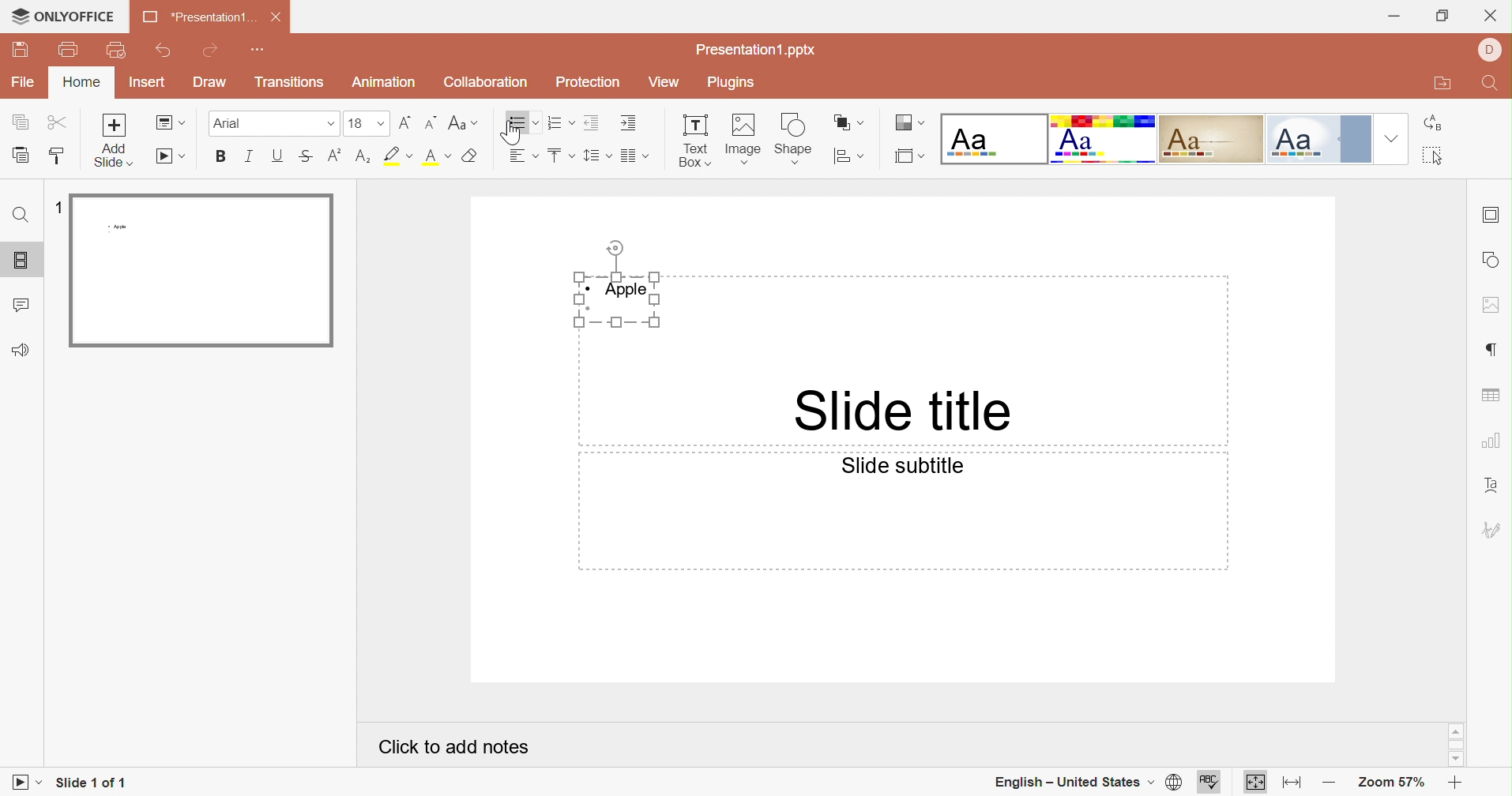 The width and height of the screenshot is (1512, 796). Describe the element at coordinates (1494, 51) in the screenshot. I see `DELL` at that location.